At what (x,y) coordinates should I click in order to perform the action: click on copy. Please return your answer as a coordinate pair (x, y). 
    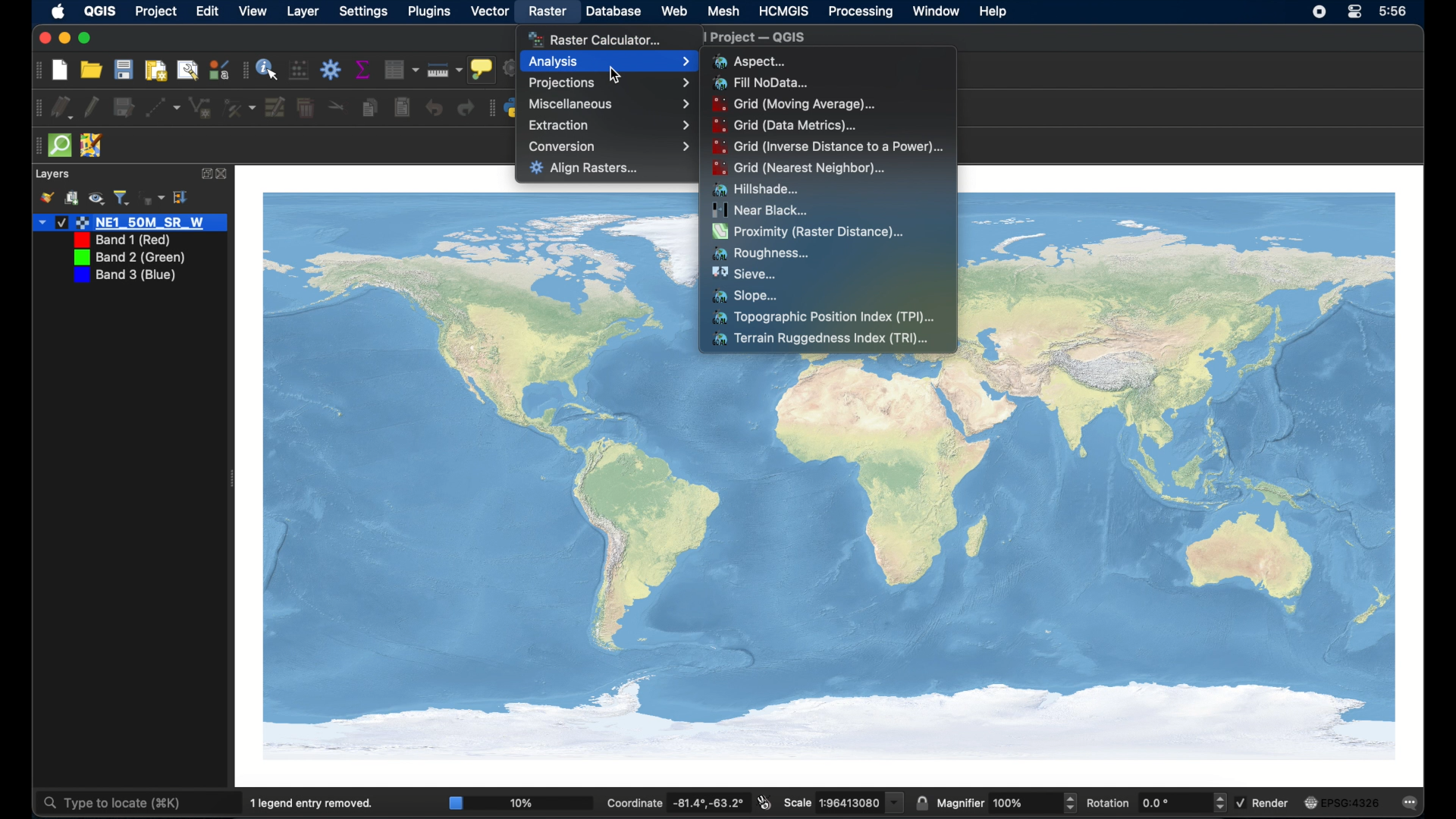
    Looking at the image, I should click on (369, 108).